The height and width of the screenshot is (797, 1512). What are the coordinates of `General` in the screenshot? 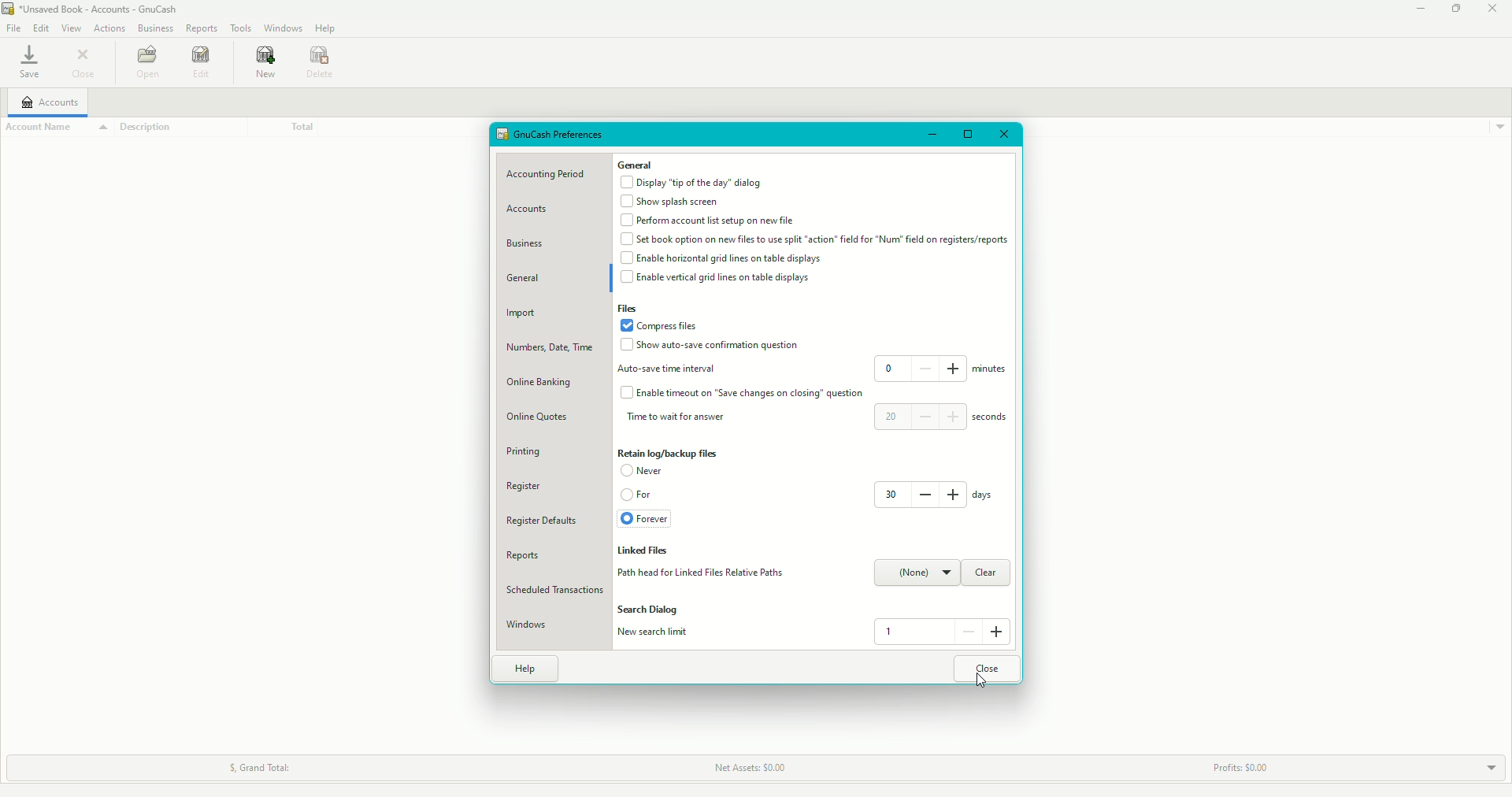 It's located at (533, 280).